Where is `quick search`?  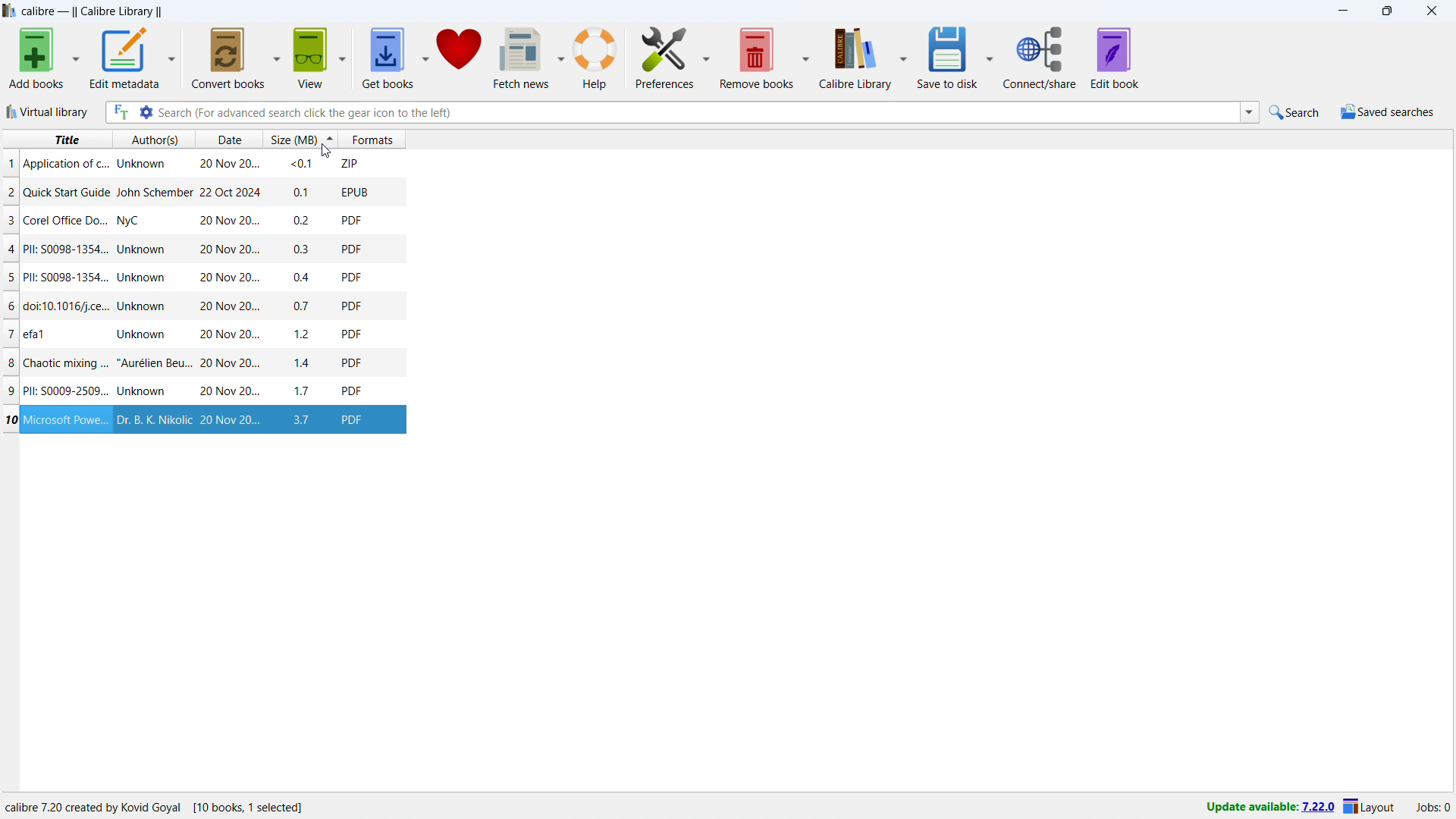 quick search is located at coordinates (1294, 112).